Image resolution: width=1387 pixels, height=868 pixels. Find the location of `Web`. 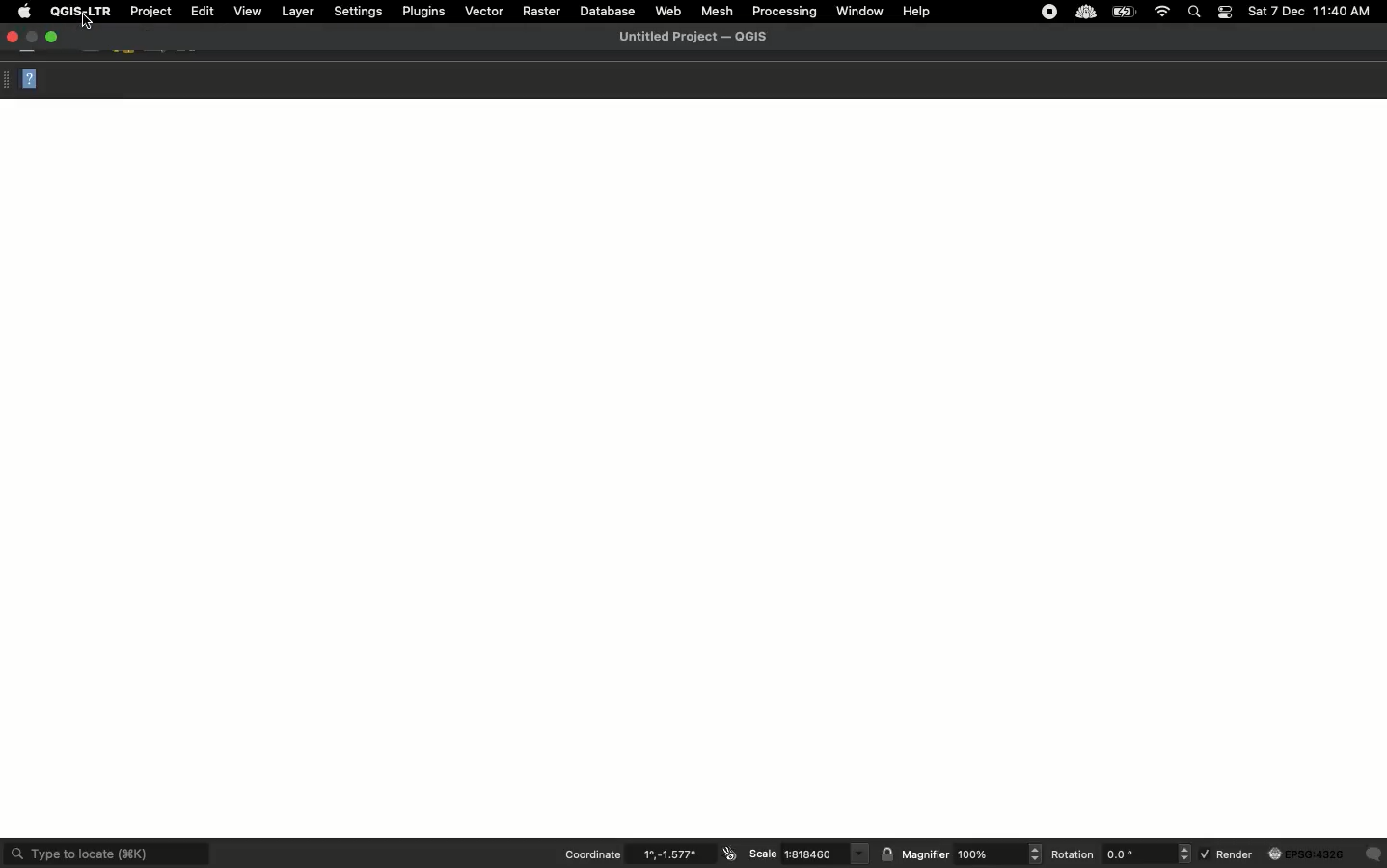

Web is located at coordinates (671, 11).